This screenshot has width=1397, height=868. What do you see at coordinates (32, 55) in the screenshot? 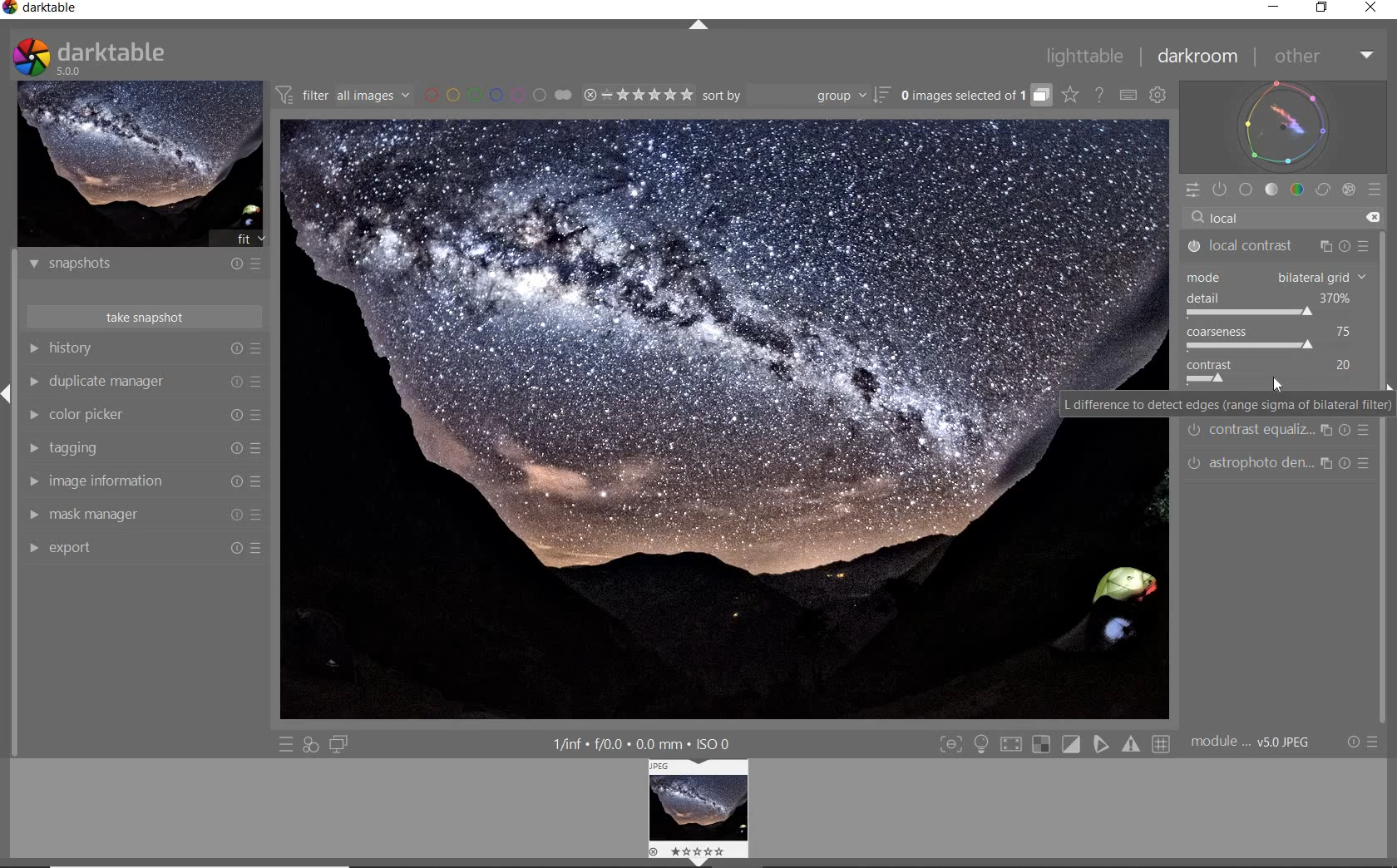
I see `darktable logo` at bounding box center [32, 55].